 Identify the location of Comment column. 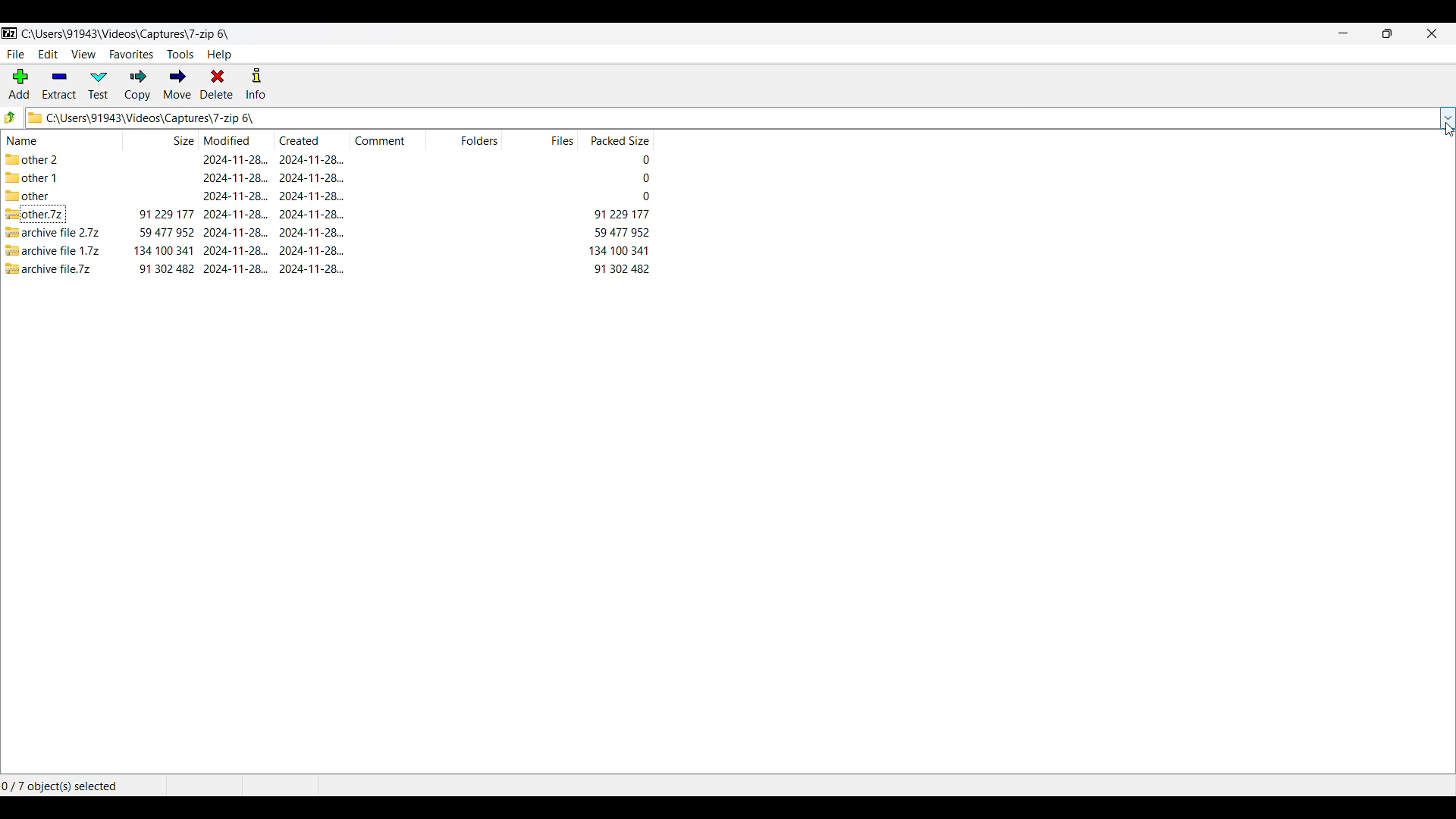
(389, 139).